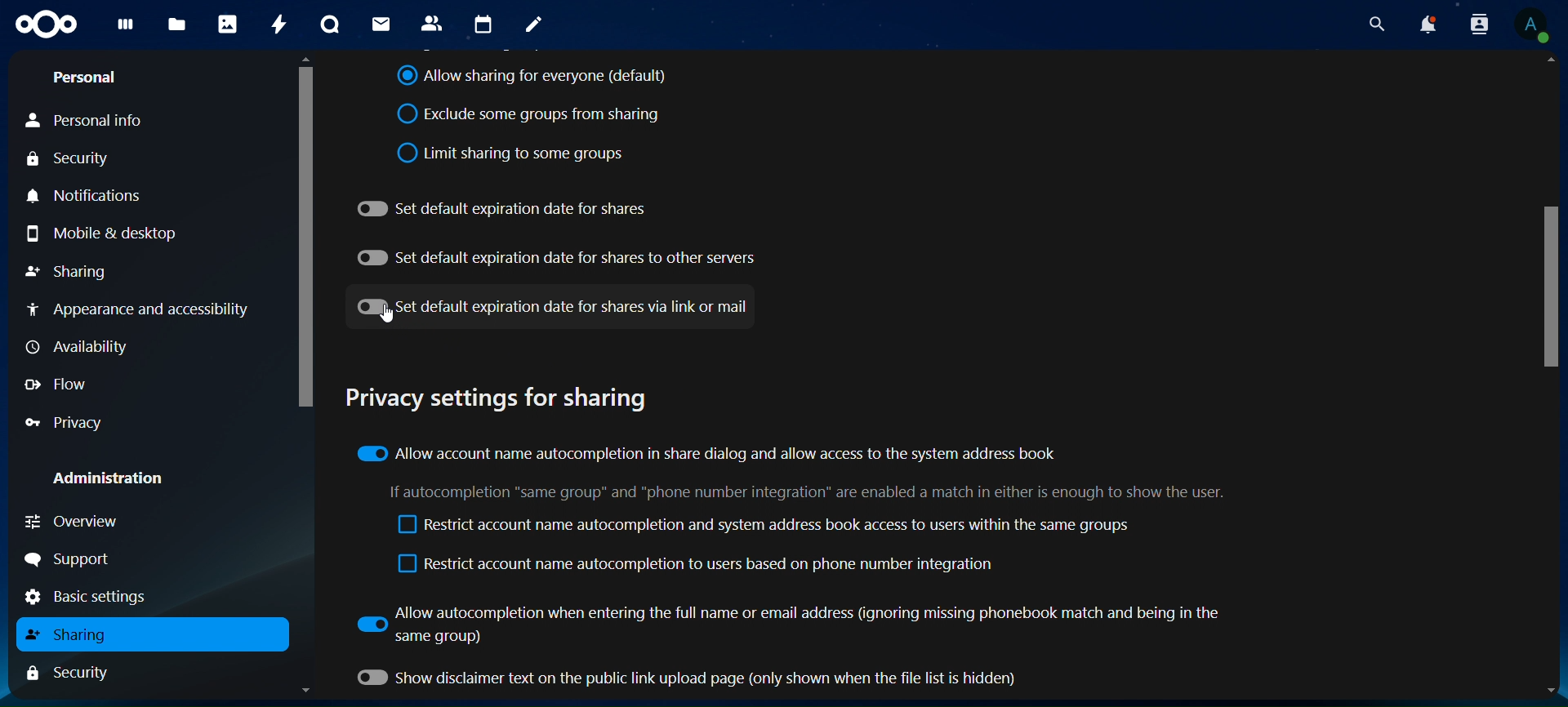  What do you see at coordinates (695, 676) in the screenshot?
I see `show disclaimer text on the public link upload page` at bounding box center [695, 676].